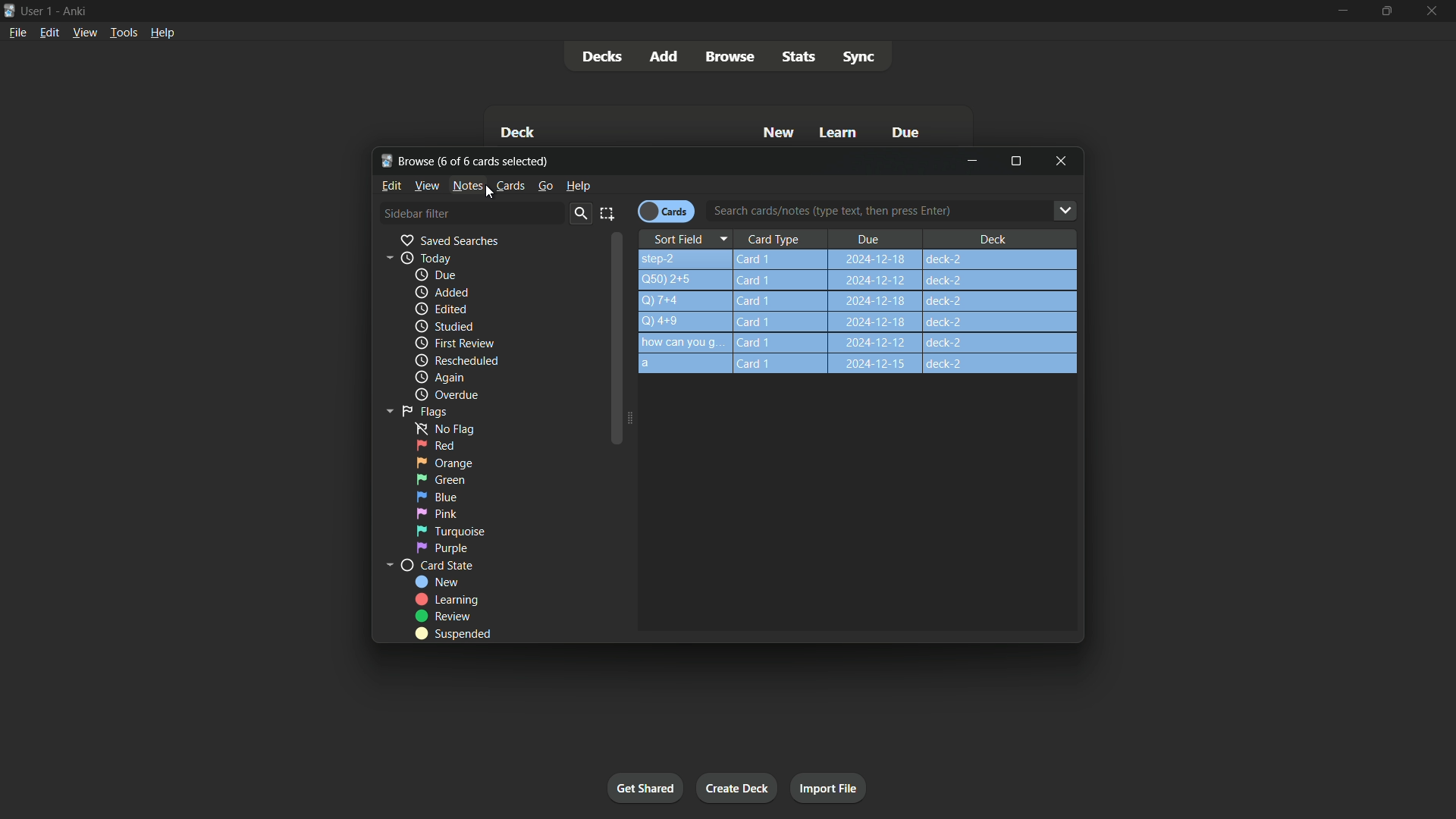 The image size is (1456, 819). Describe the element at coordinates (416, 213) in the screenshot. I see `Sidebar filter` at that location.